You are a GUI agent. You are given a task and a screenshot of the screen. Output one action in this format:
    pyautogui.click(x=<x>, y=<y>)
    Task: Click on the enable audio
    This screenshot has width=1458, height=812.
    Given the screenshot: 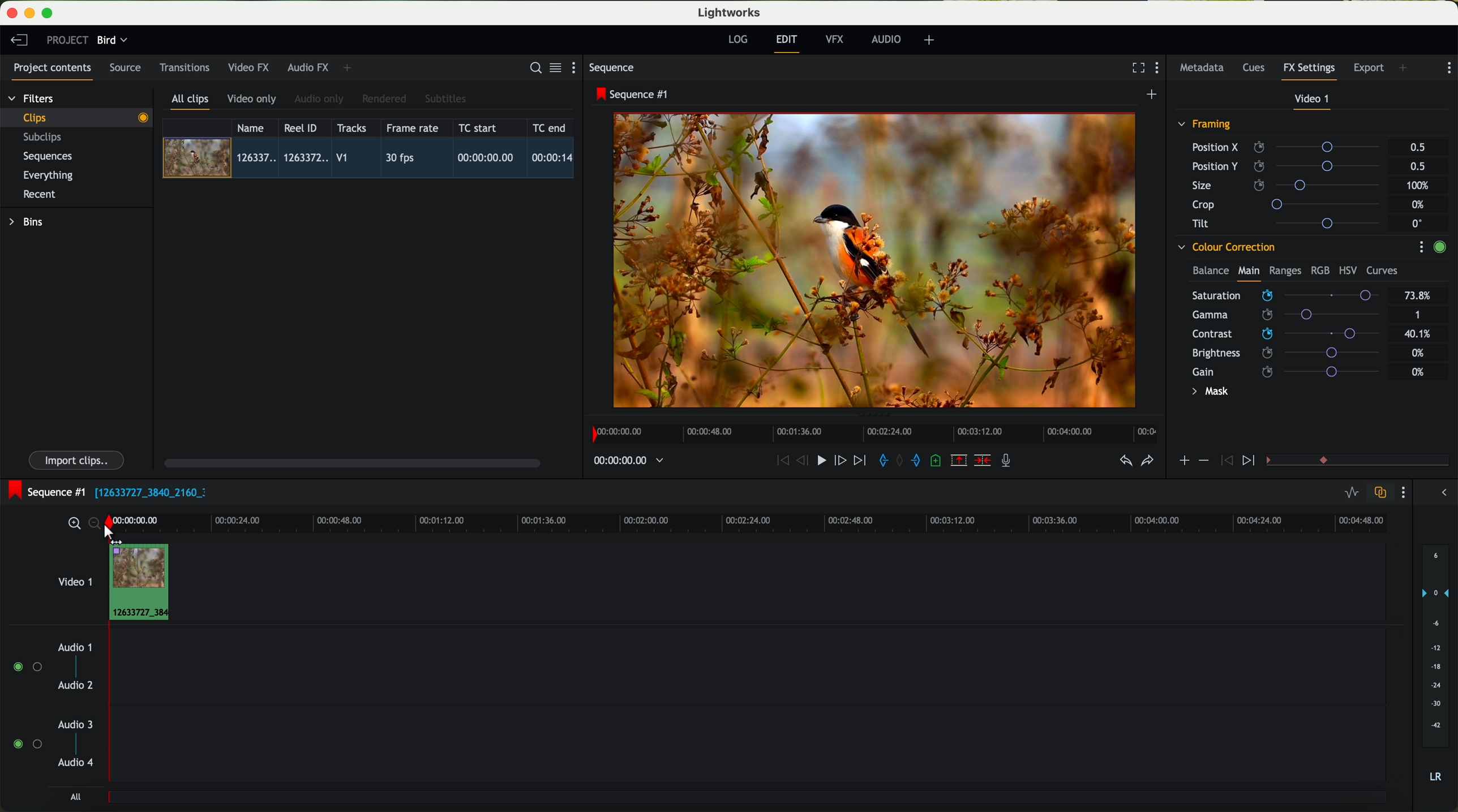 What is the action you would take?
    pyautogui.click(x=27, y=744)
    